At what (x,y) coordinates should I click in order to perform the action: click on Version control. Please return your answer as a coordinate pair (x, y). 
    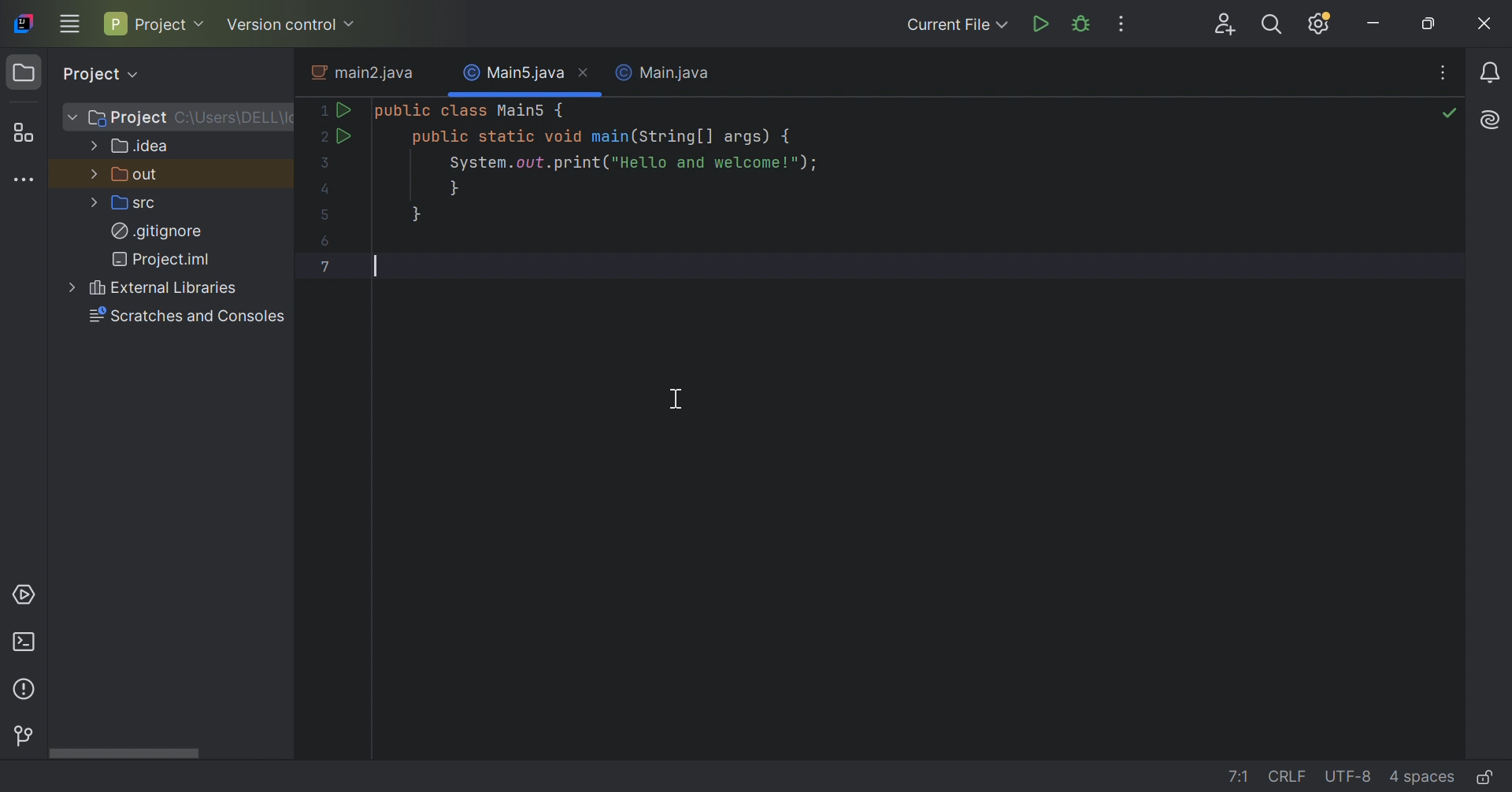
    Looking at the image, I should click on (293, 25).